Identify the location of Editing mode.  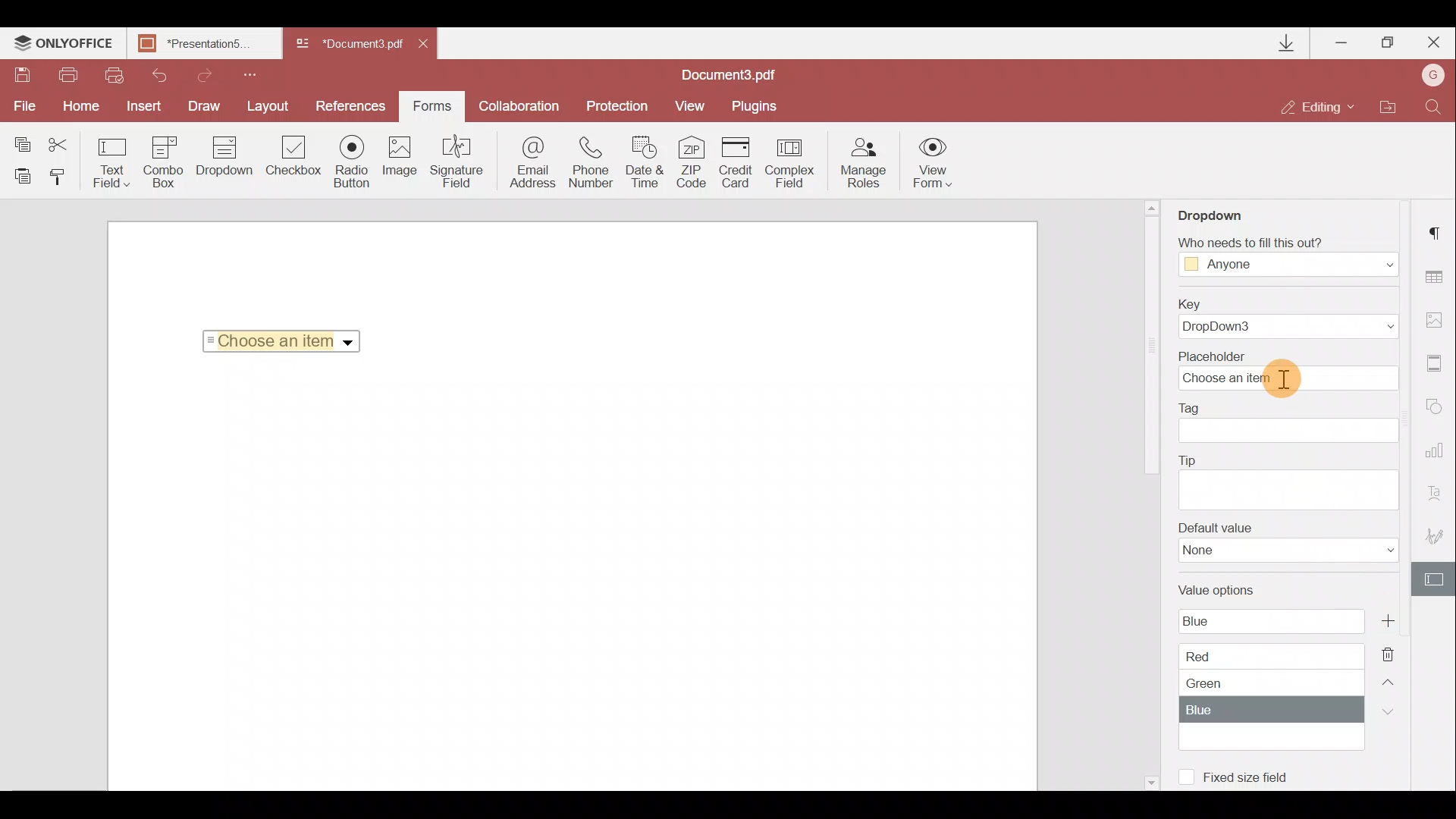
(1319, 108).